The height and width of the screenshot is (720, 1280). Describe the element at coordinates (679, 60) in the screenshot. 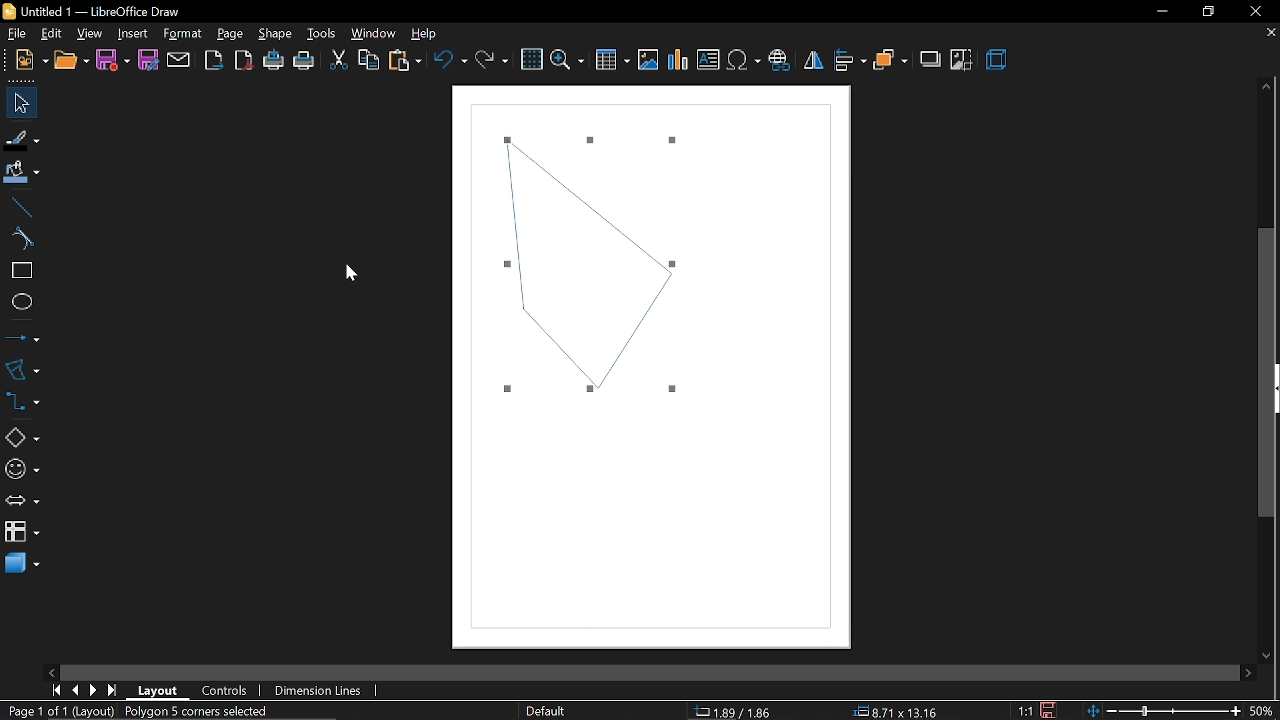

I see `insert chart` at that location.